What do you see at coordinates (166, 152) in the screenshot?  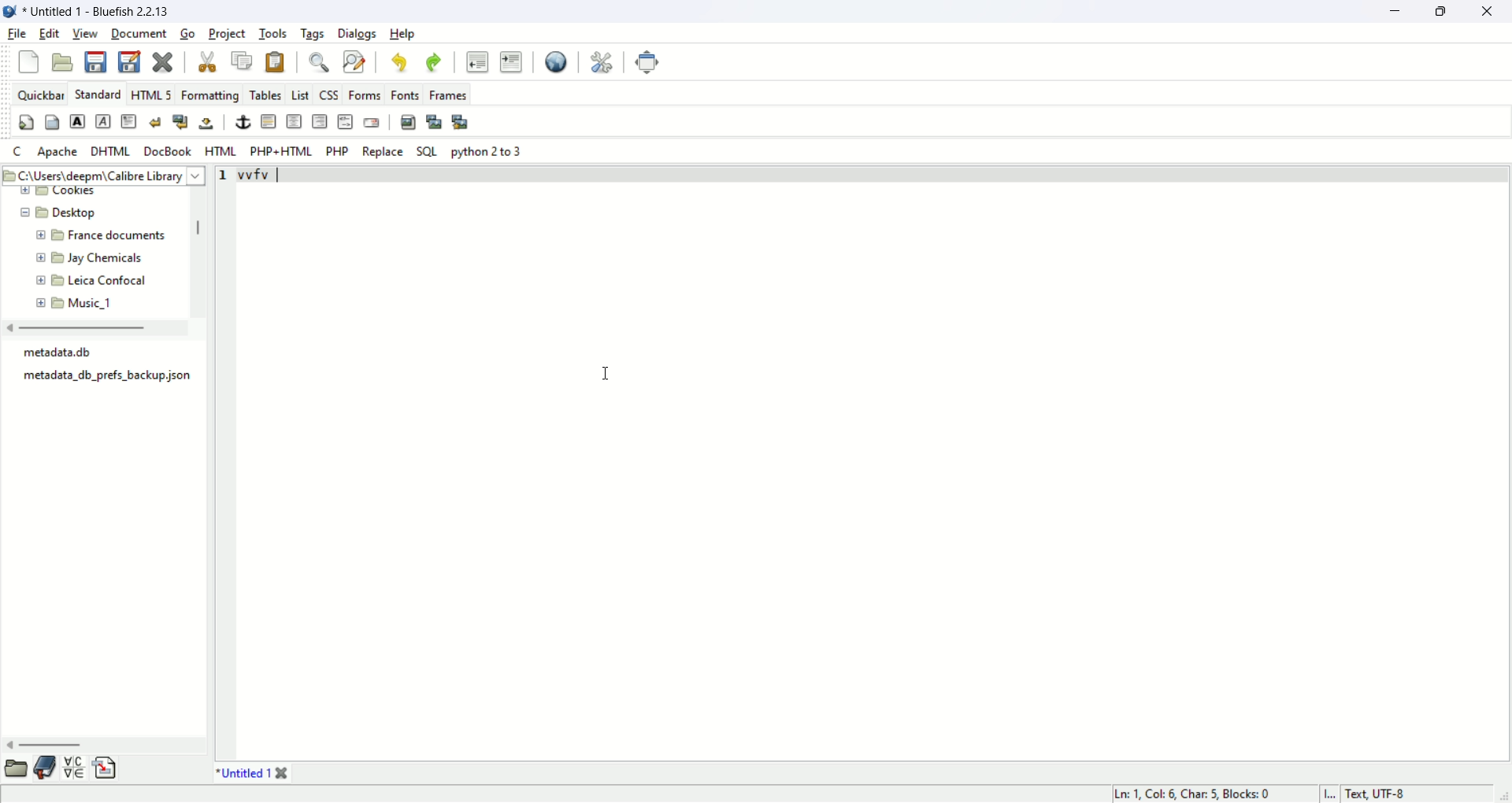 I see `docbook` at bounding box center [166, 152].